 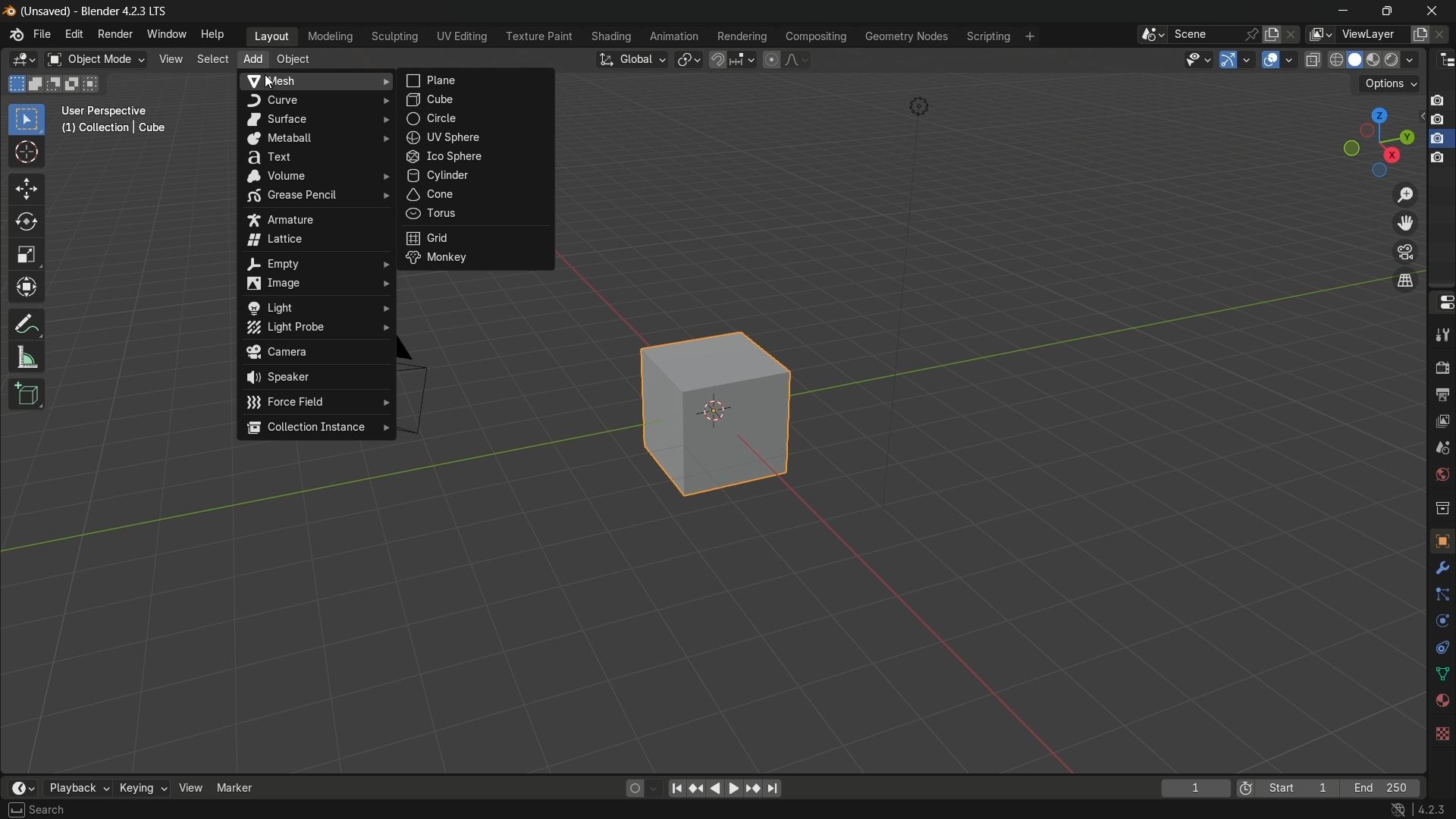 What do you see at coordinates (1405, 252) in the screenshot?
I see `toggle the camera view` at bounding box center [1405, 252].